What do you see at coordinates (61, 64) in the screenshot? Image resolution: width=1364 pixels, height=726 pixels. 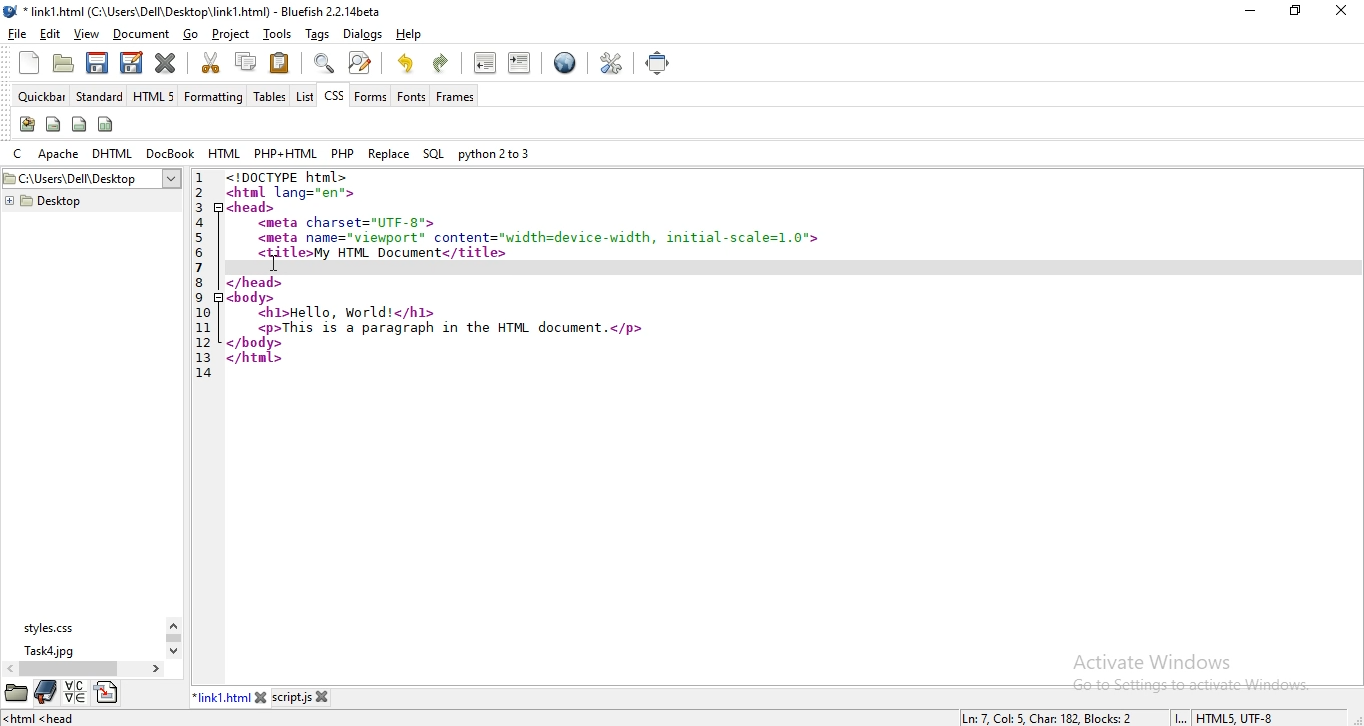 I see `open file` at bounding box center [61, 64].